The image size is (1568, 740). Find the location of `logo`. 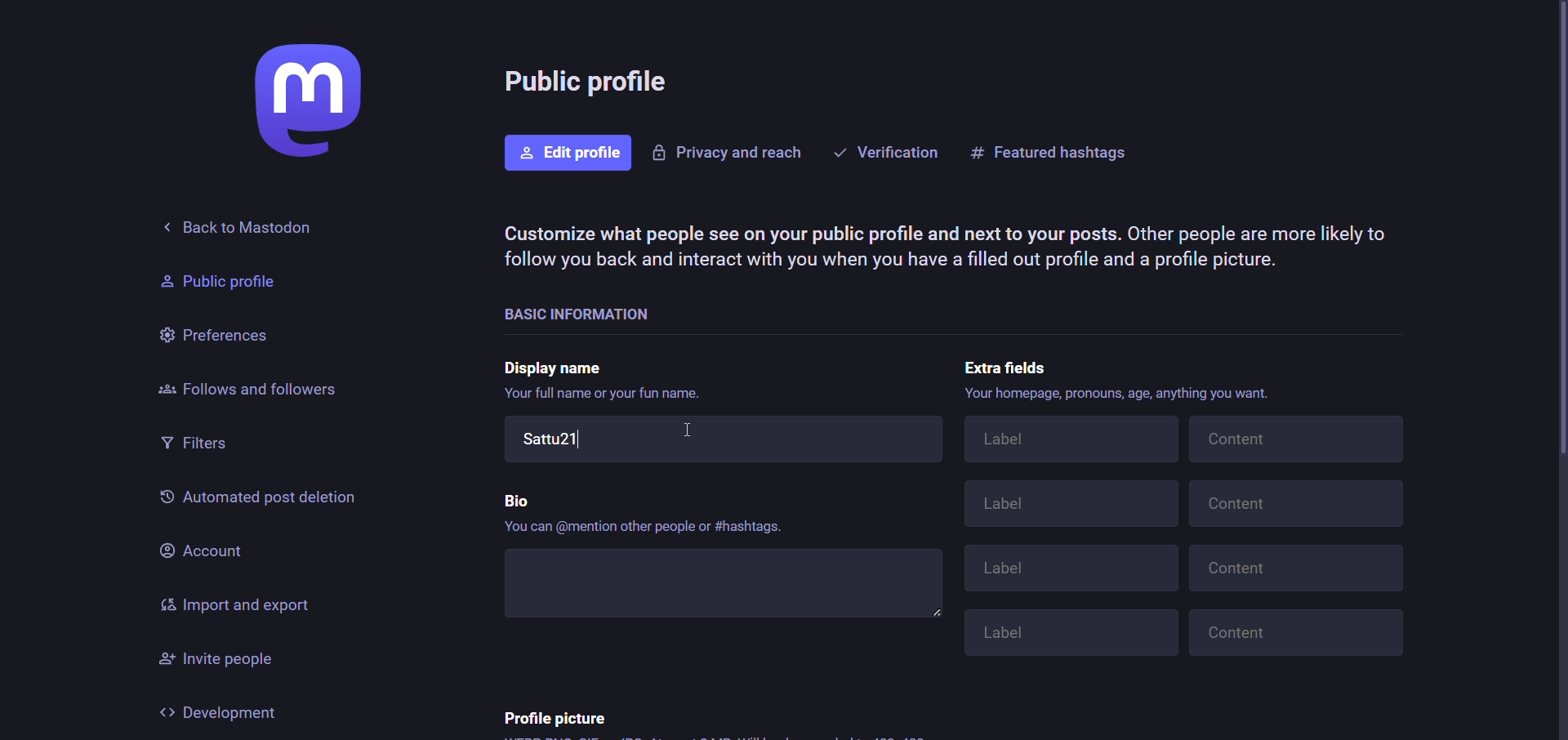

logo is located at coordinates (303, 102).